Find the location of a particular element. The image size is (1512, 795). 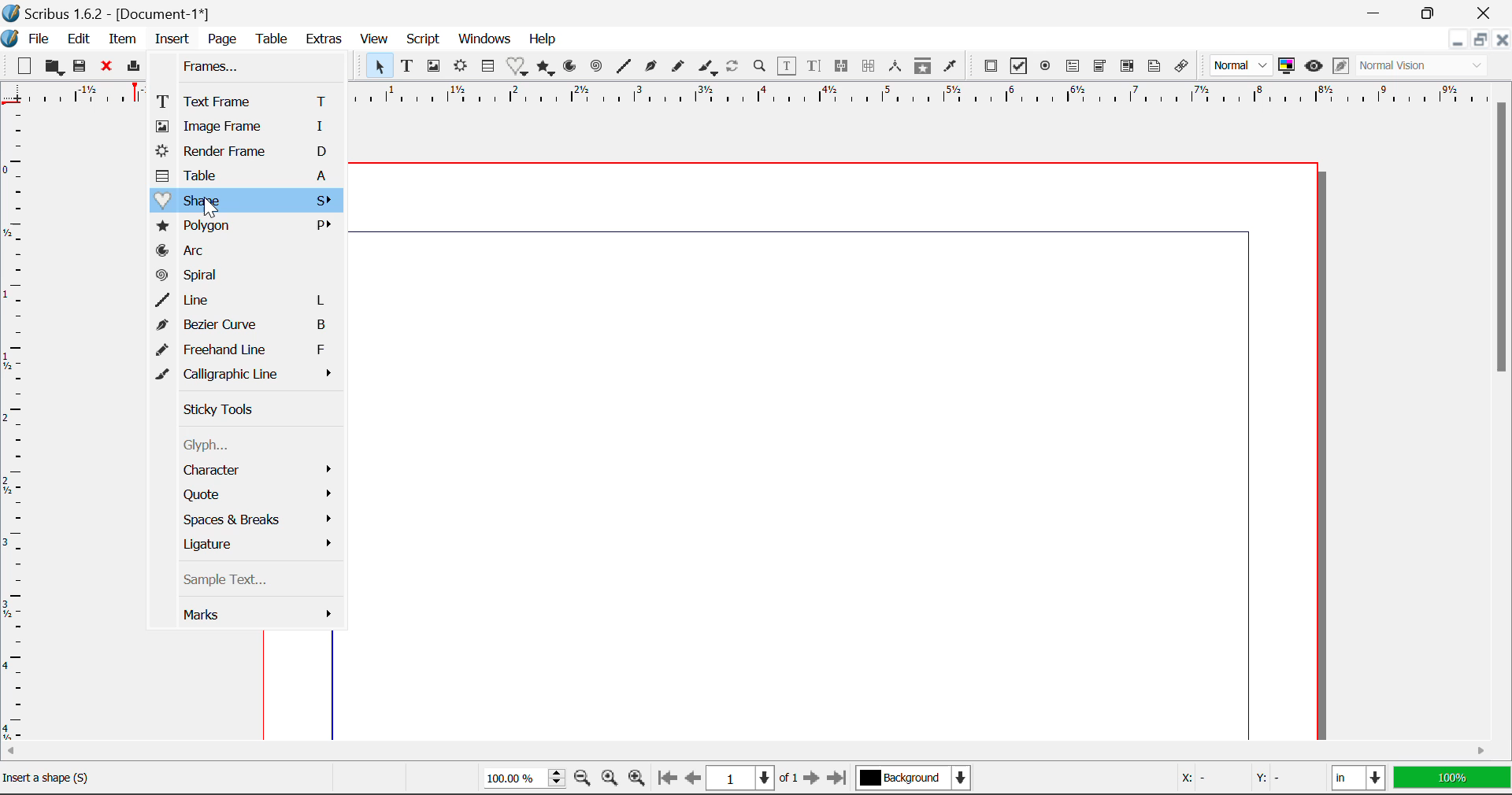

Copy Item Properties is located at coordinates (926, 68).